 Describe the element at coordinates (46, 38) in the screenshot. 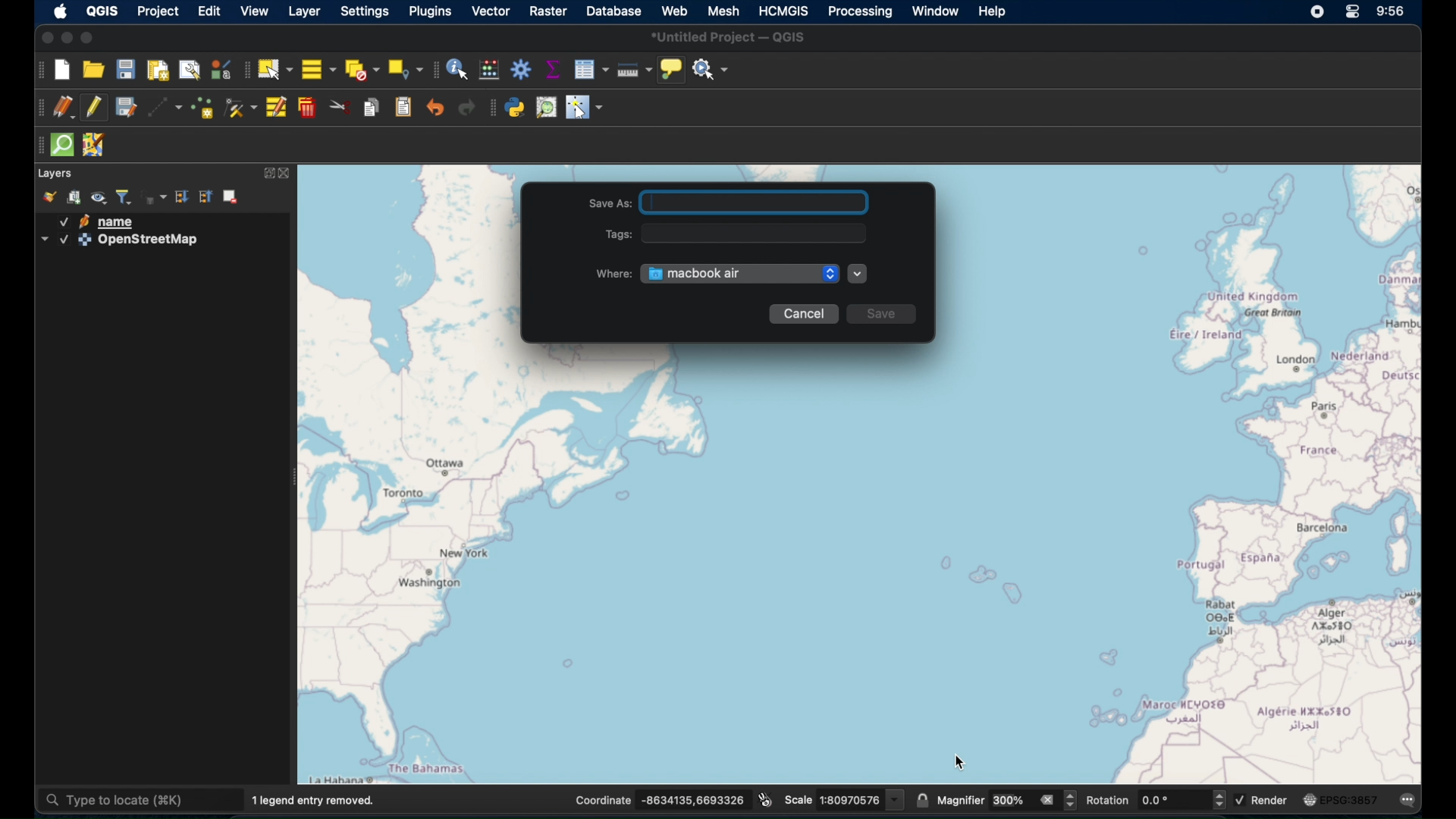

I see `close` at that location.